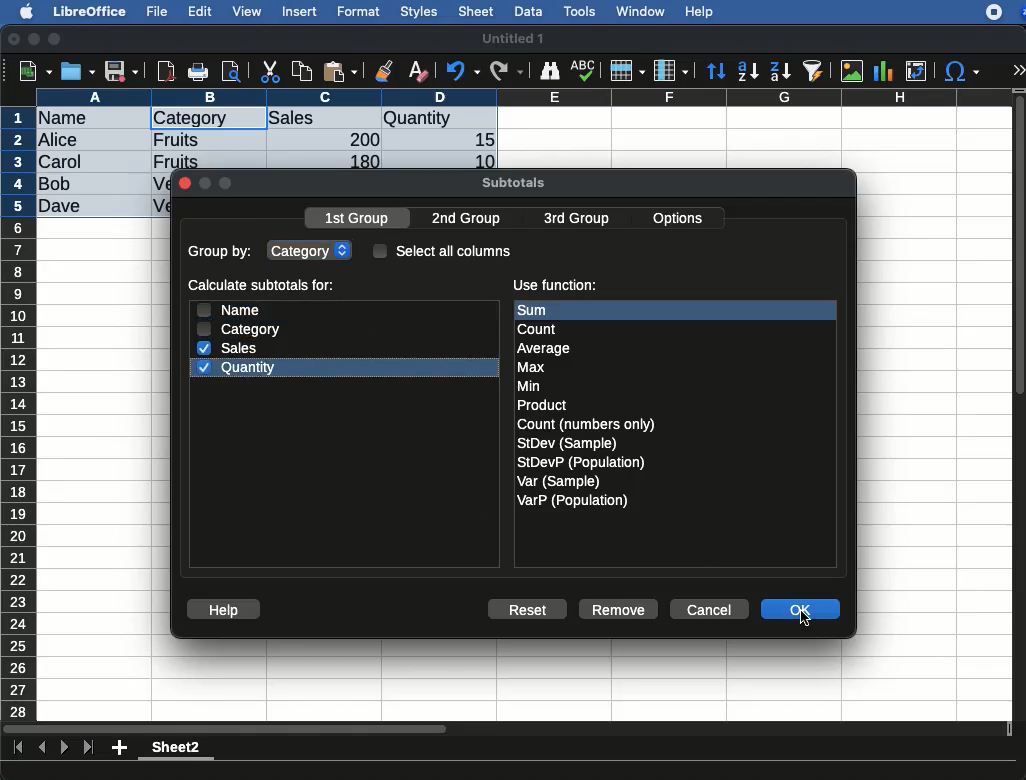 Image resolution: width=1026 pixels, height=780 pixels. What do you see at coordinates (417, 72) in the screenshot?
I see `clear formatting` at bounding box center [417, 72].